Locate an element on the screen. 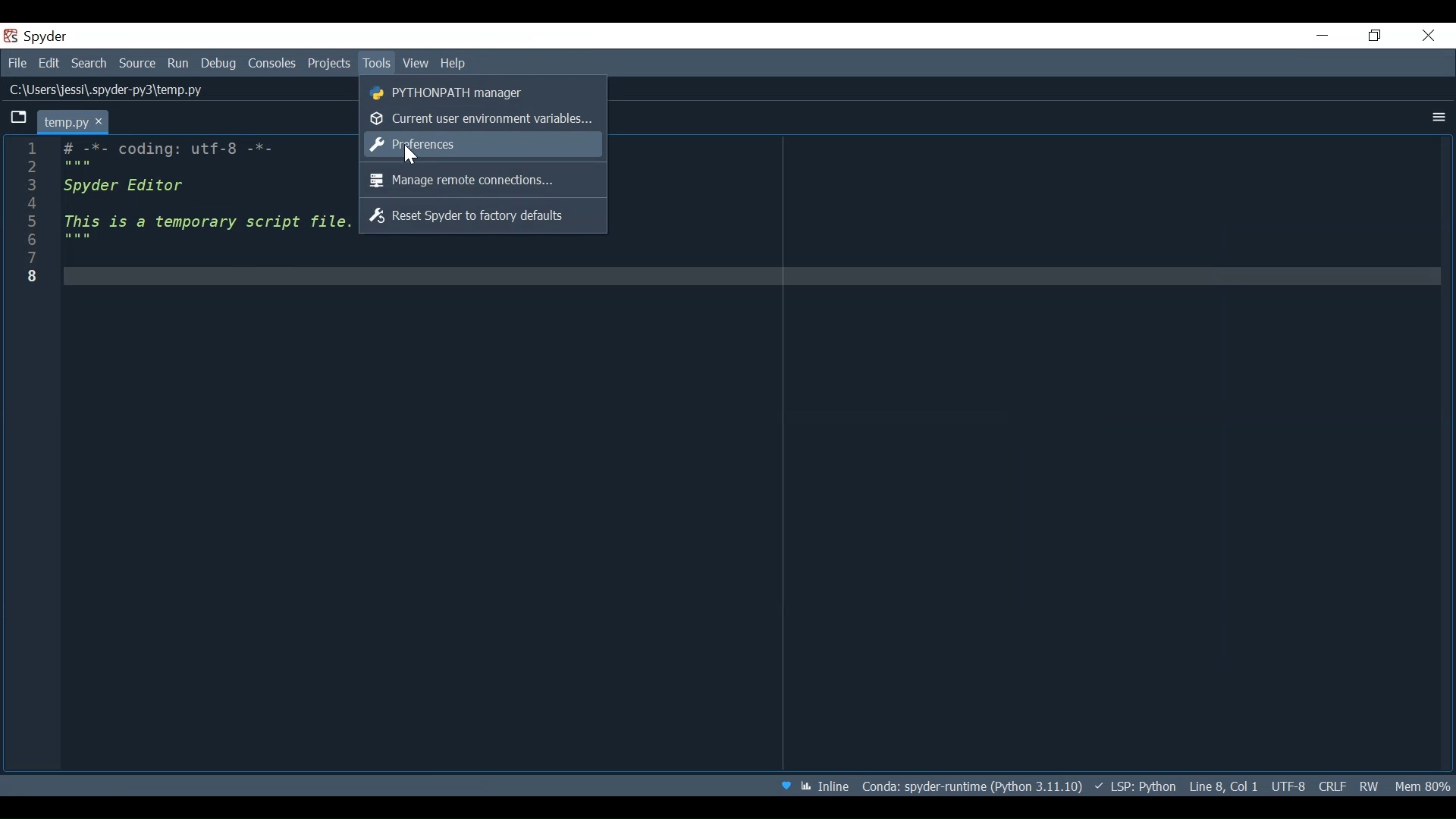 Image resolution: width=1456 pixels, height=819 pixels. Cursor is located at coordinates (414, 155).